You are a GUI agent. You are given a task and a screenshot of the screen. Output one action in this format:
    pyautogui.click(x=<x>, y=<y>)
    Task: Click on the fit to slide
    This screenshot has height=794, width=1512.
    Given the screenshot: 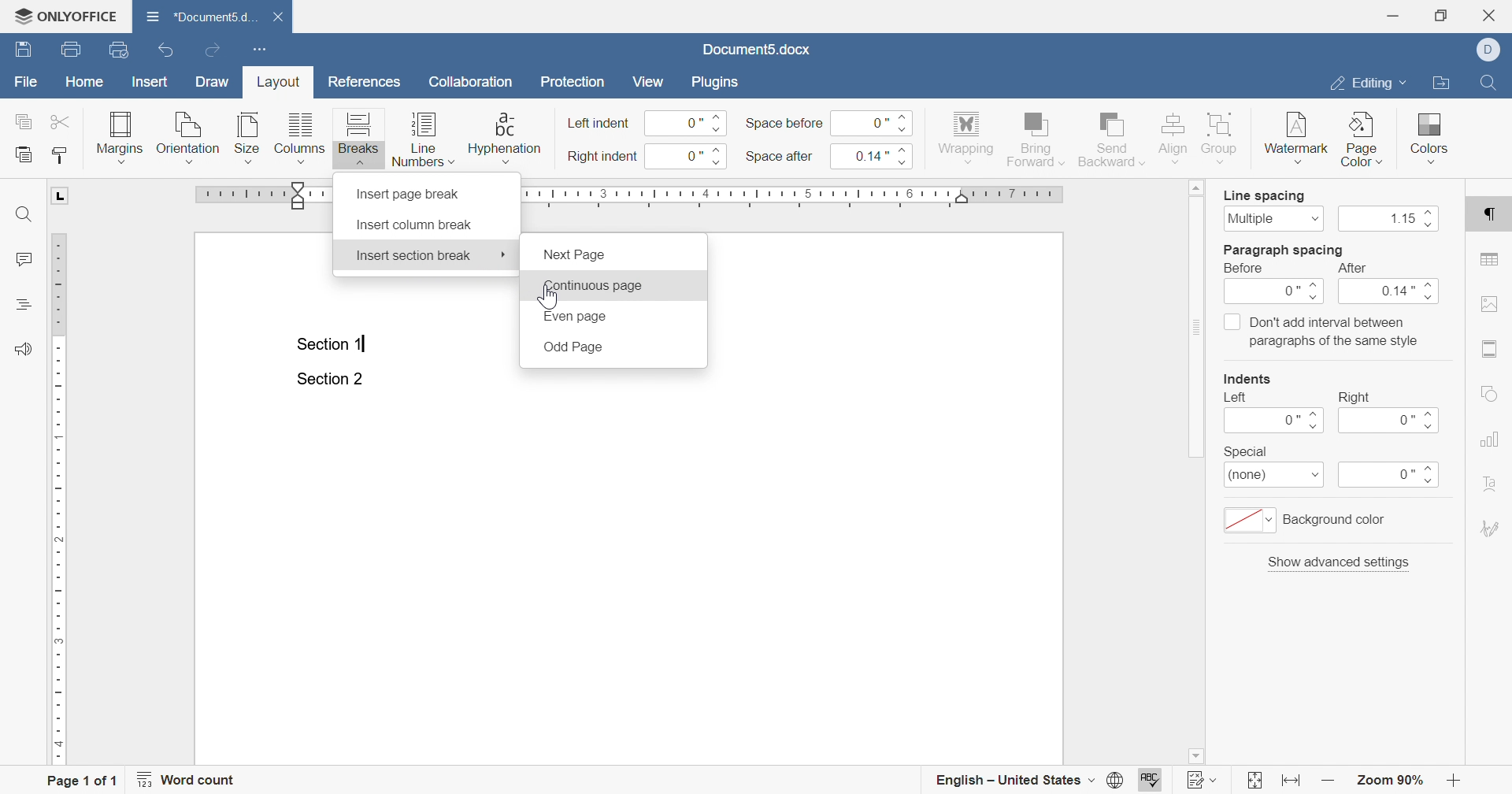 What is the action you would take?
    pyautogui.click(x=1254, y=781)
    